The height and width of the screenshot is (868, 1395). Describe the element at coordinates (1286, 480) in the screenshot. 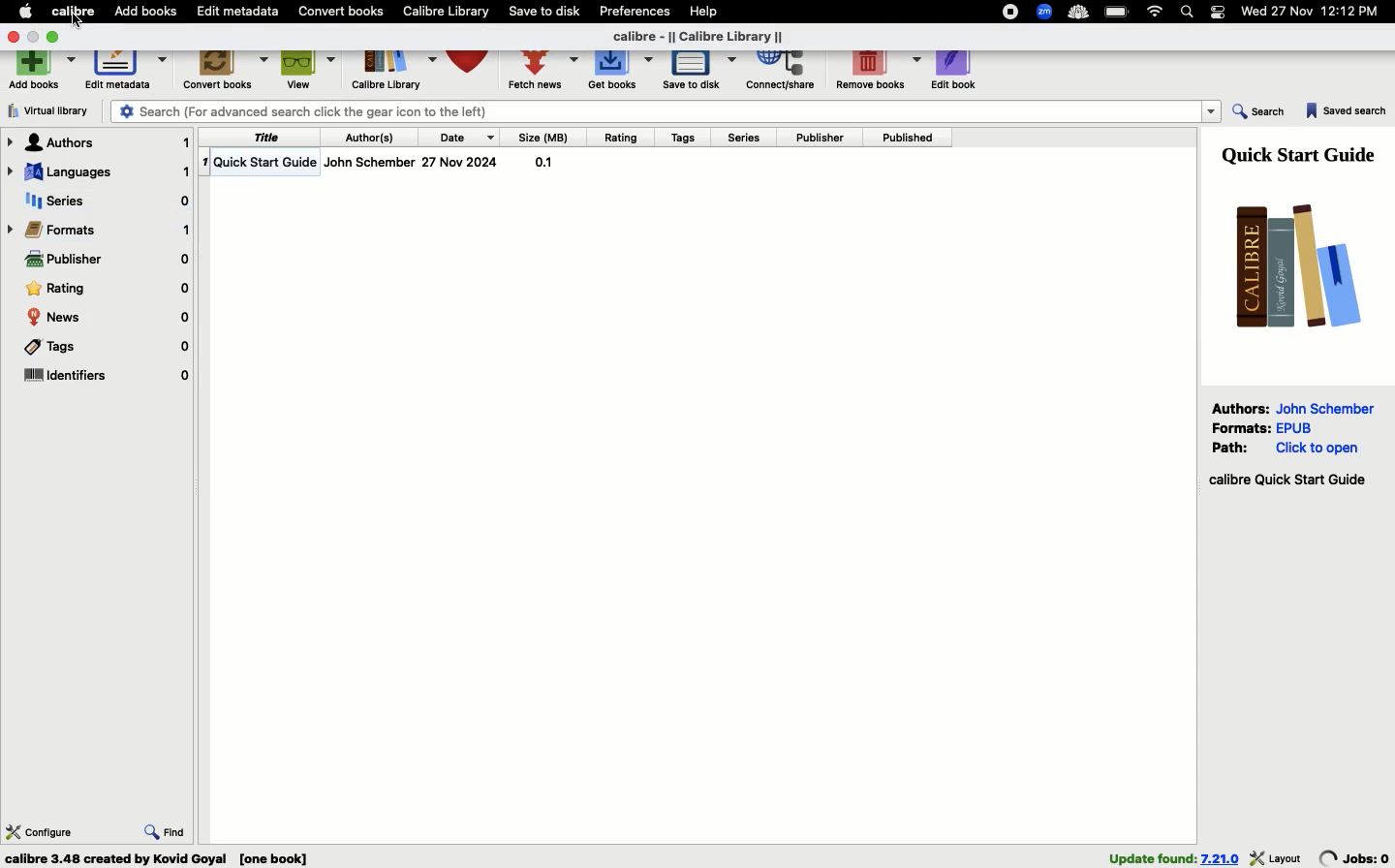

I see `Start guide` at that location.